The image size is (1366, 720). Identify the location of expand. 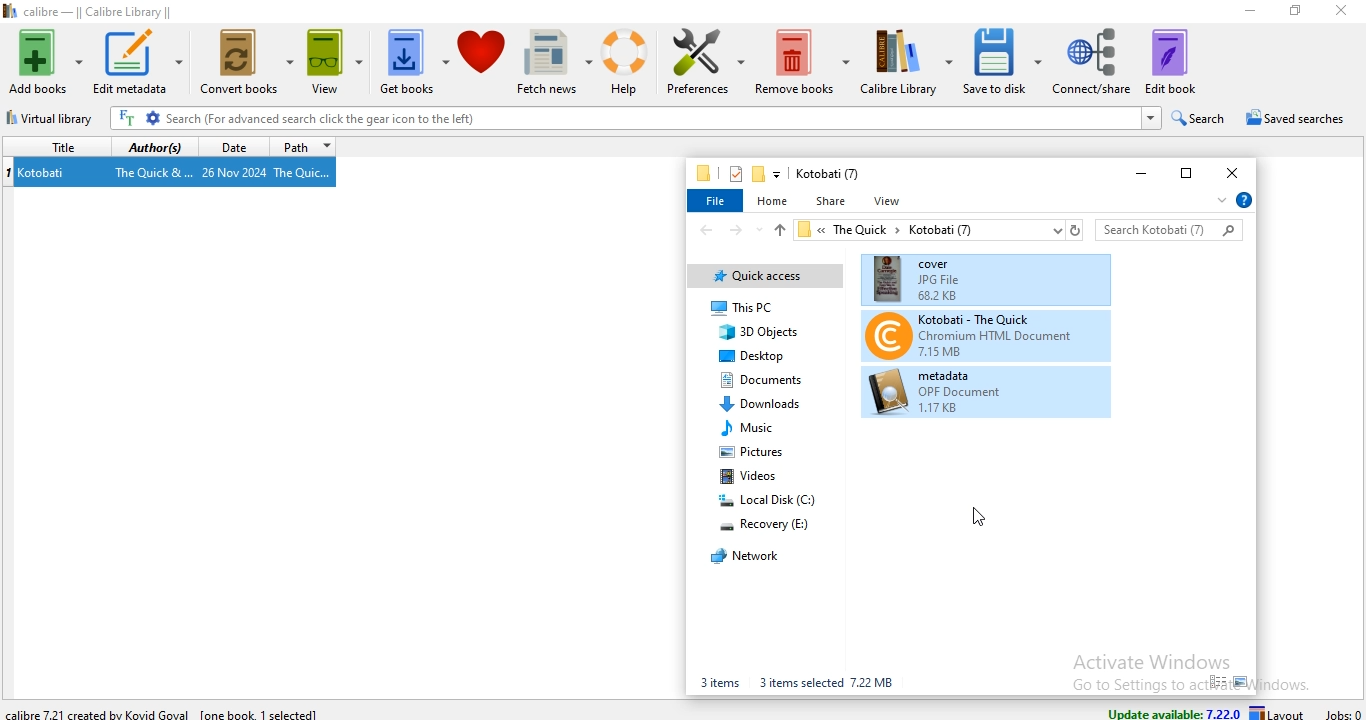
(1218, 203).